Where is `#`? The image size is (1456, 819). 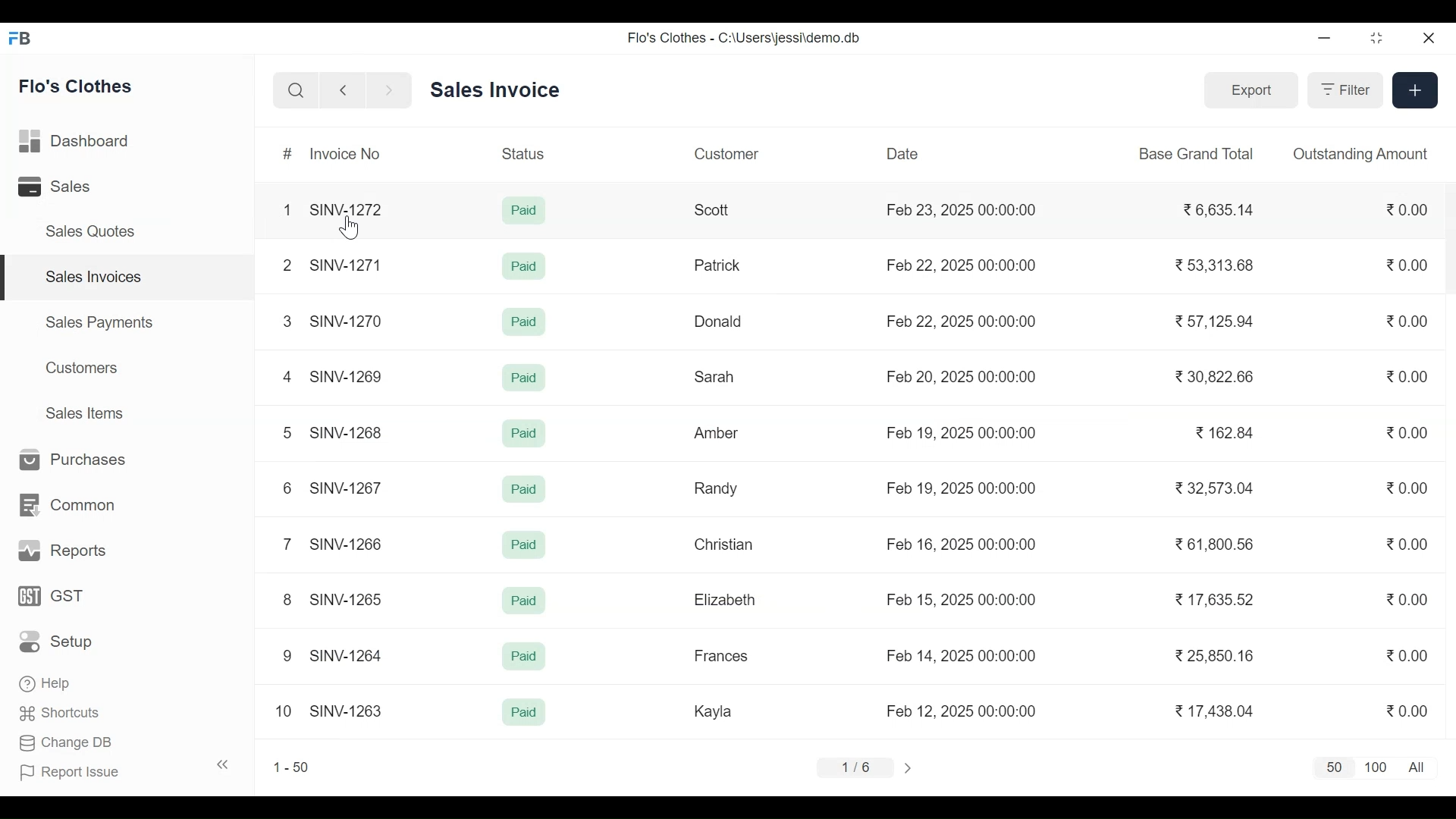
# is located at coordinates (284, 153).